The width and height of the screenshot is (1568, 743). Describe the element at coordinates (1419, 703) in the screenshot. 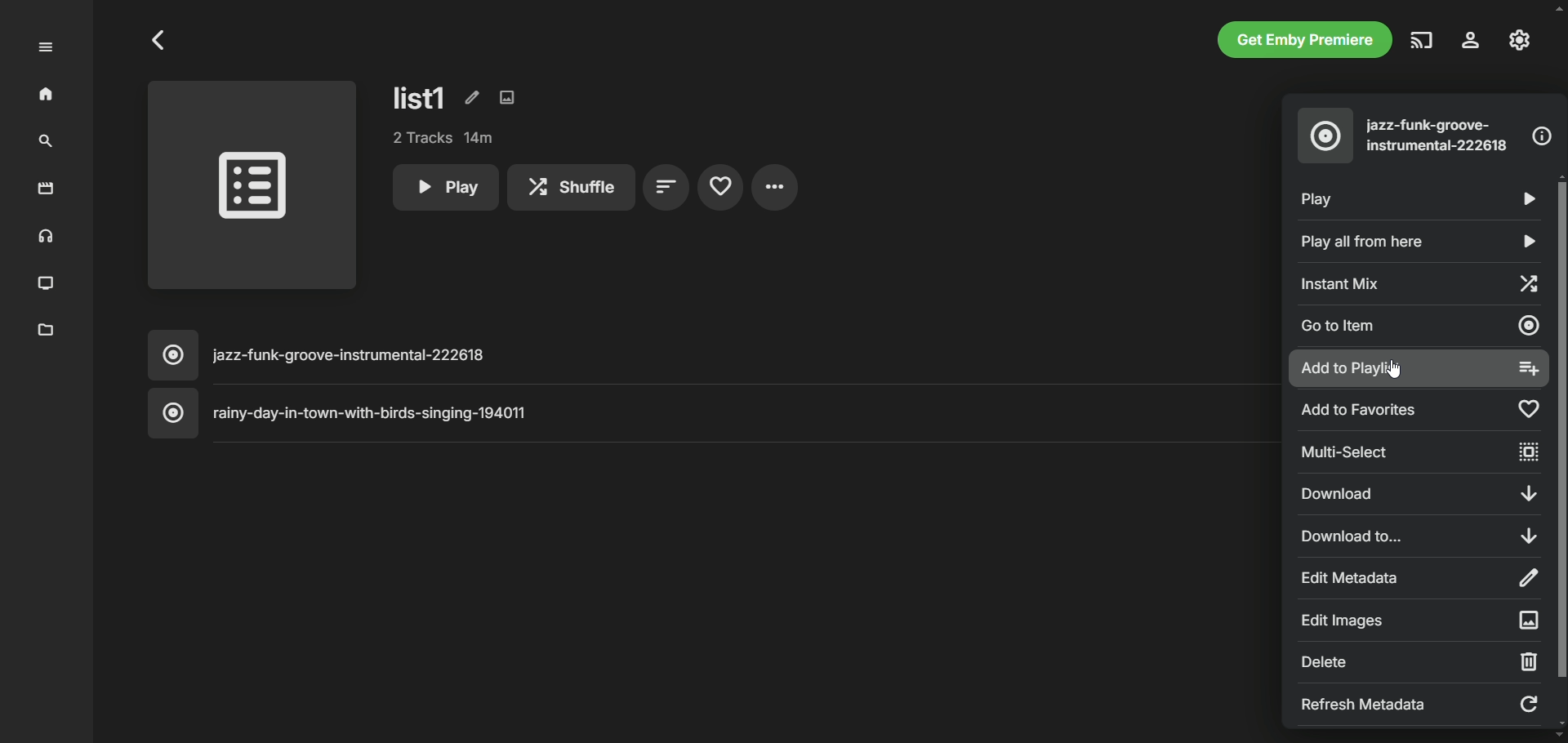

I see `refresh metadata` at that location.